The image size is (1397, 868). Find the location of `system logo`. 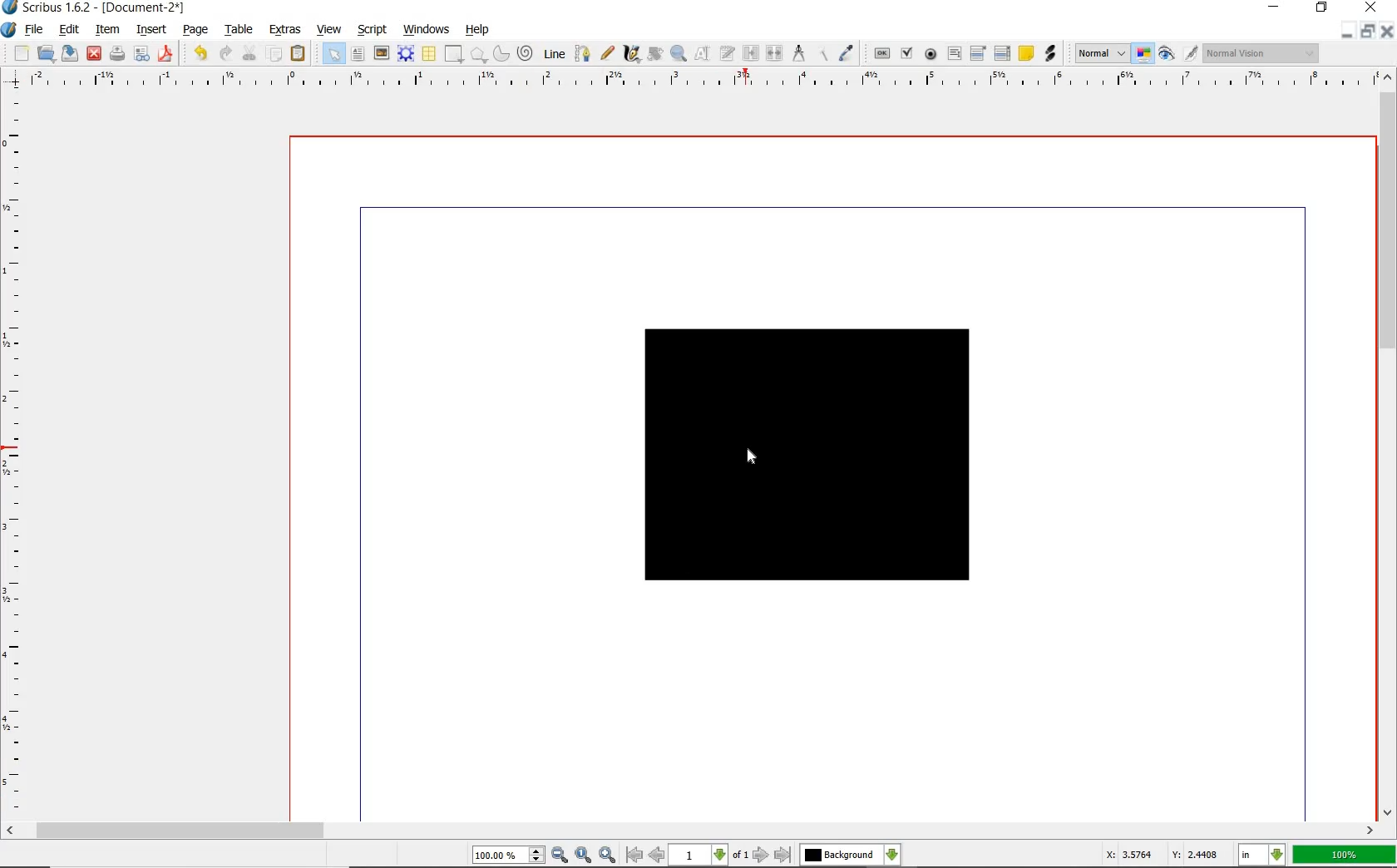

system logo is located at coordinates (10, 31).